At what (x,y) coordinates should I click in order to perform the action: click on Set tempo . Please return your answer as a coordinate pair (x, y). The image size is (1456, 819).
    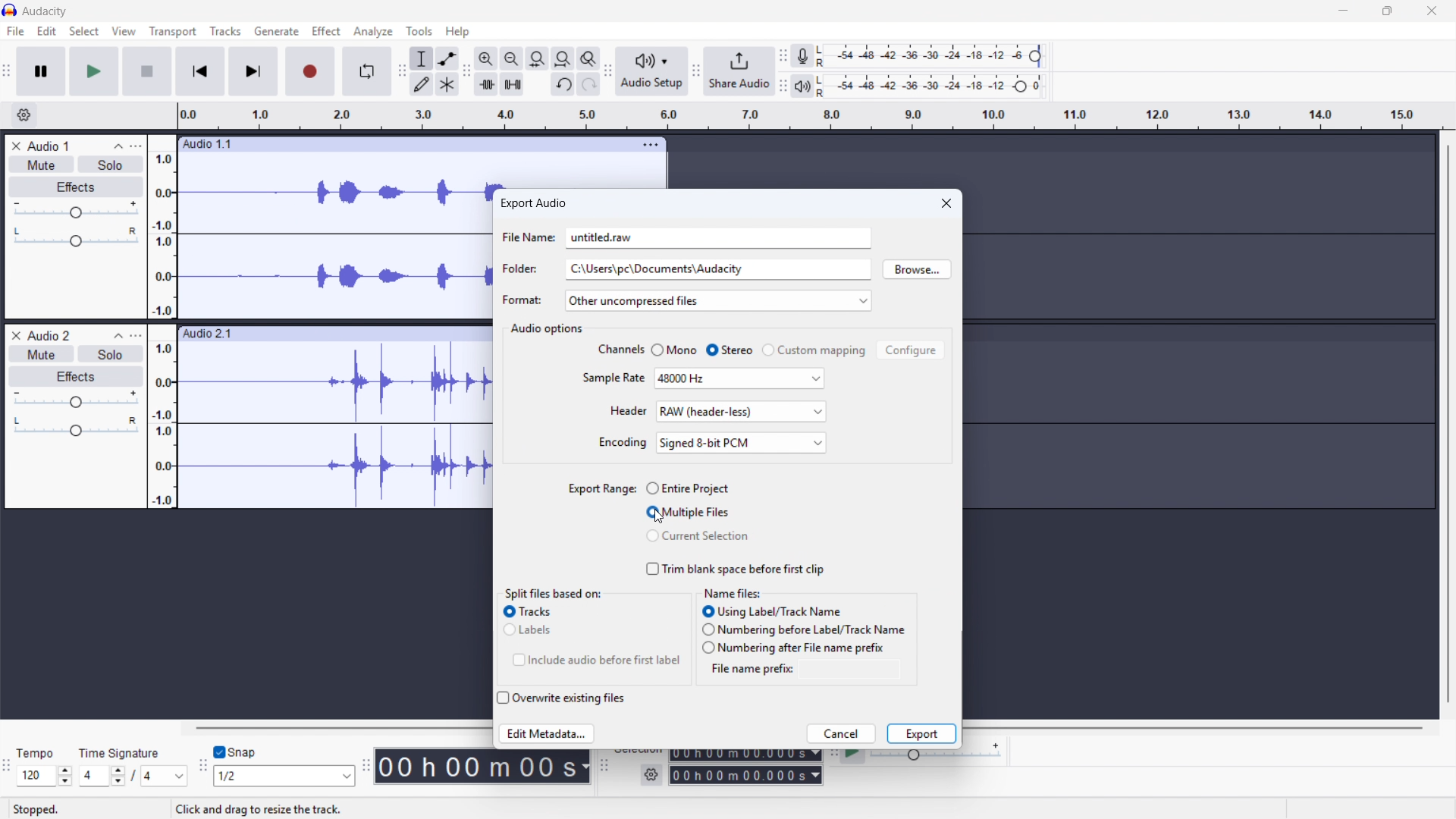
    Looking at the image, I should click on (45, 776).